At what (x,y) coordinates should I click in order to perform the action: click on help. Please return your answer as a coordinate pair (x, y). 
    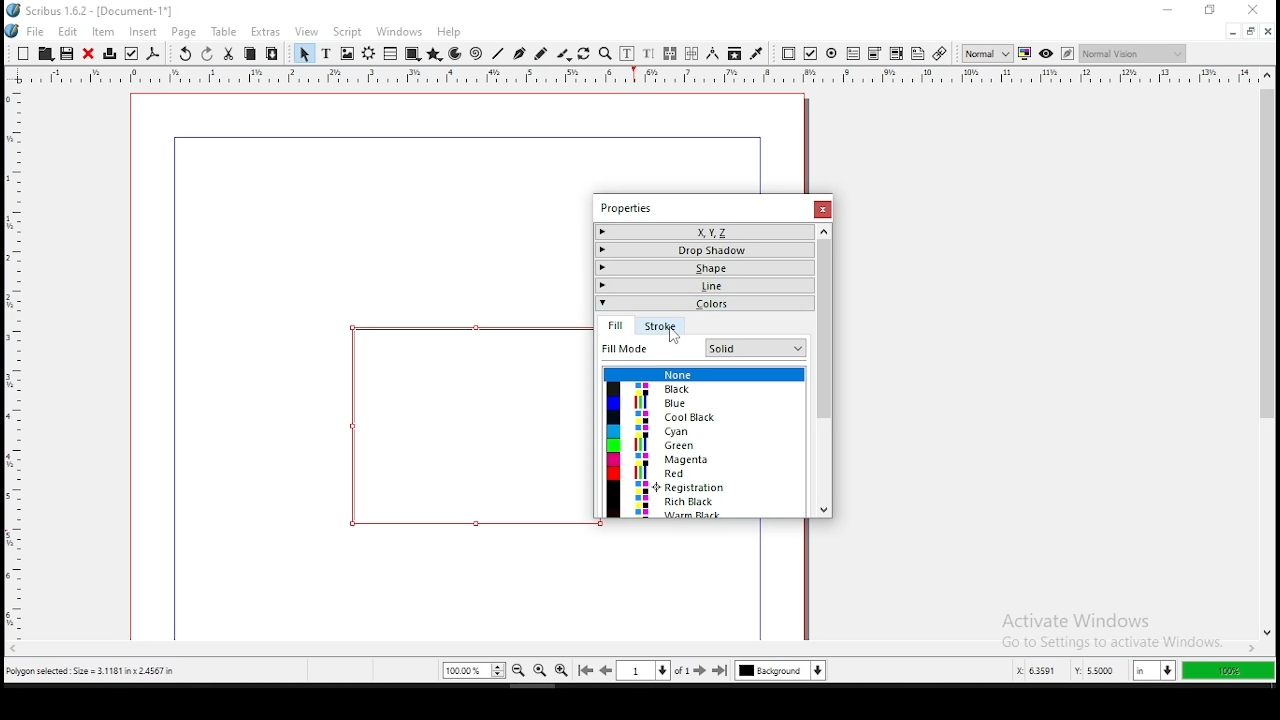
    Looking at the image, I should click on (449, 32).